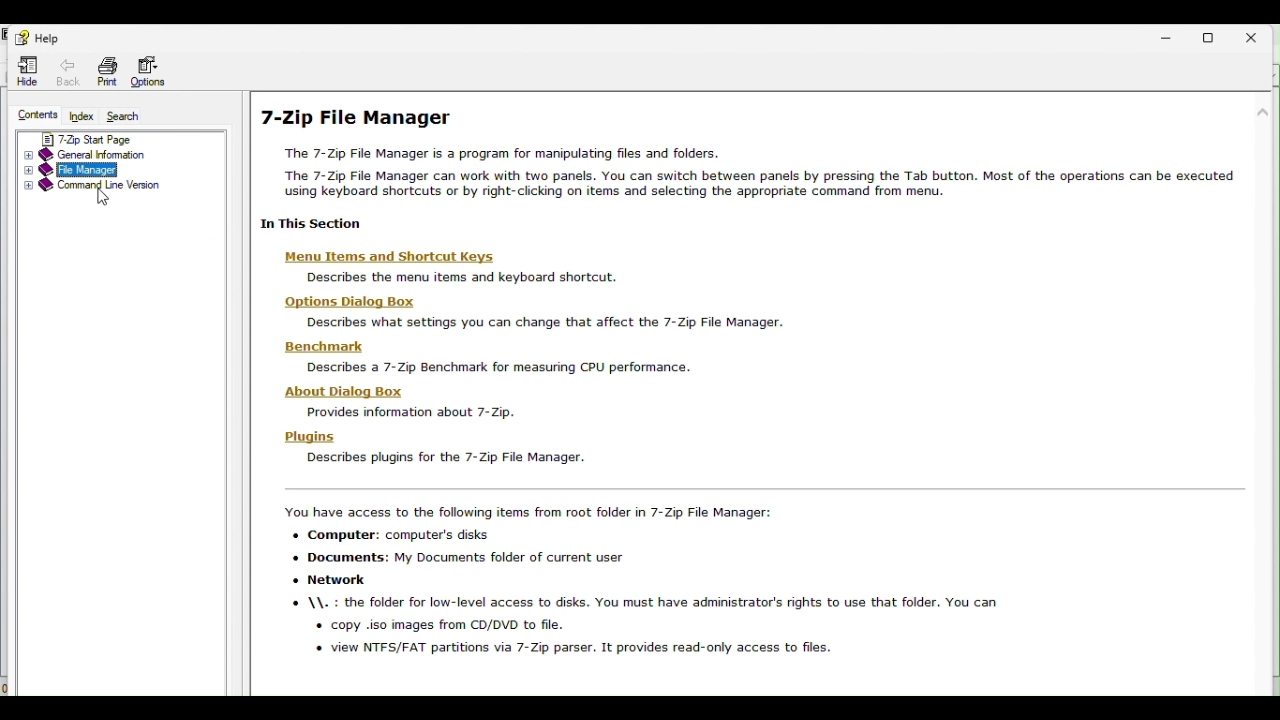  I want to click on help, so click(38, 38).